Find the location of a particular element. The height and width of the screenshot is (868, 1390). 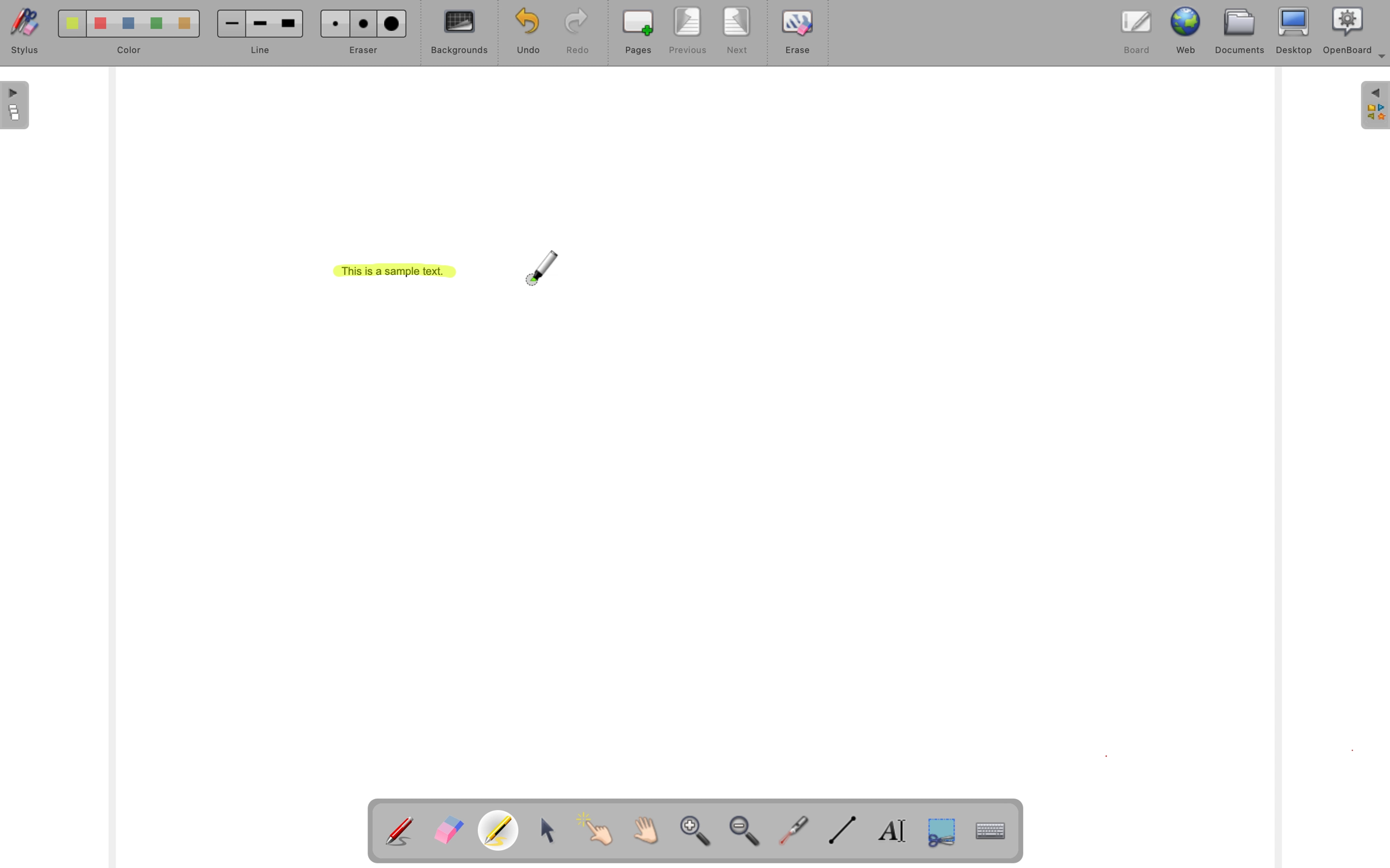

desktop is located at coordinates (1295, 31).